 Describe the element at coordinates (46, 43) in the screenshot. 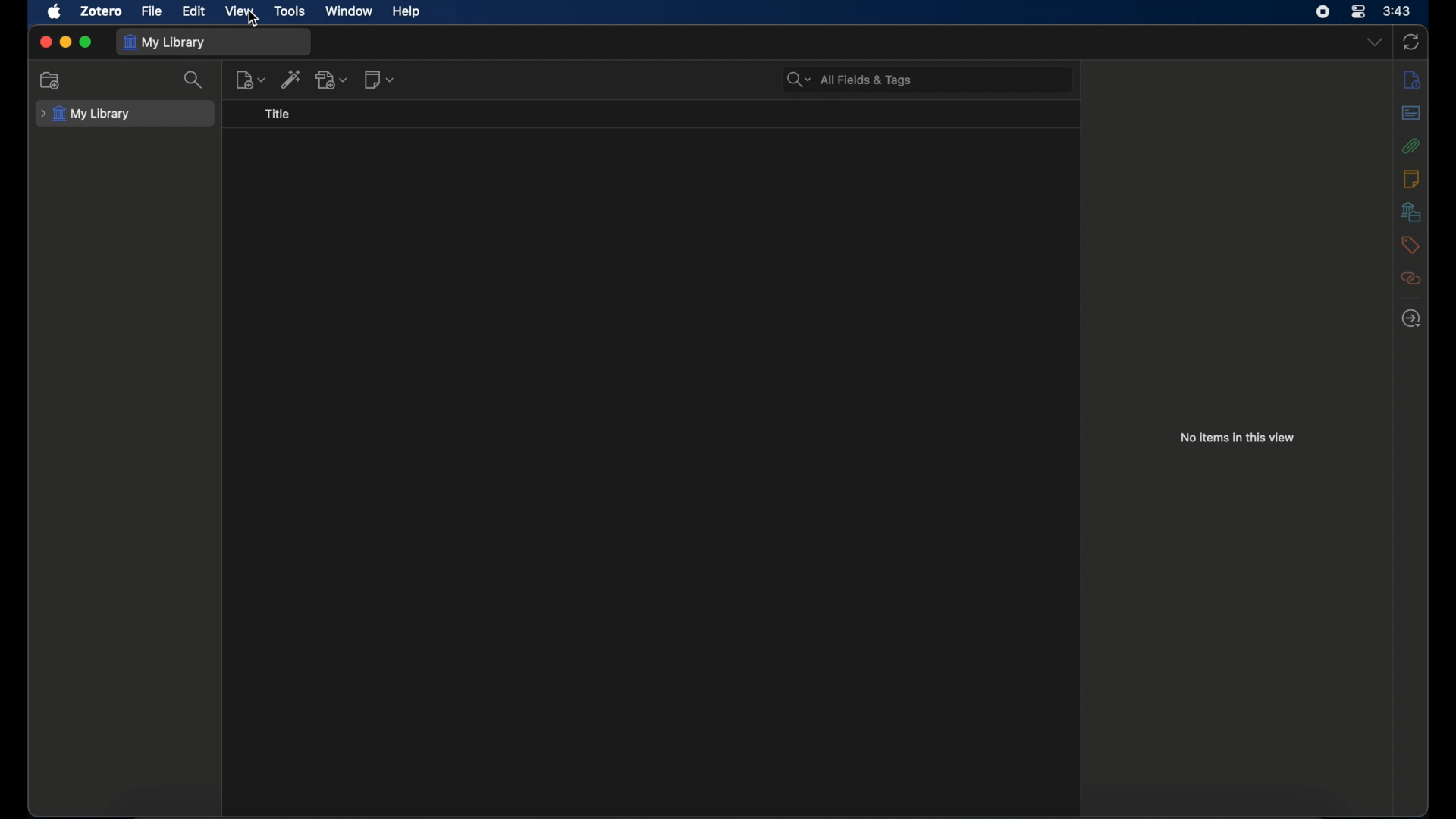

I see `close` at that location.